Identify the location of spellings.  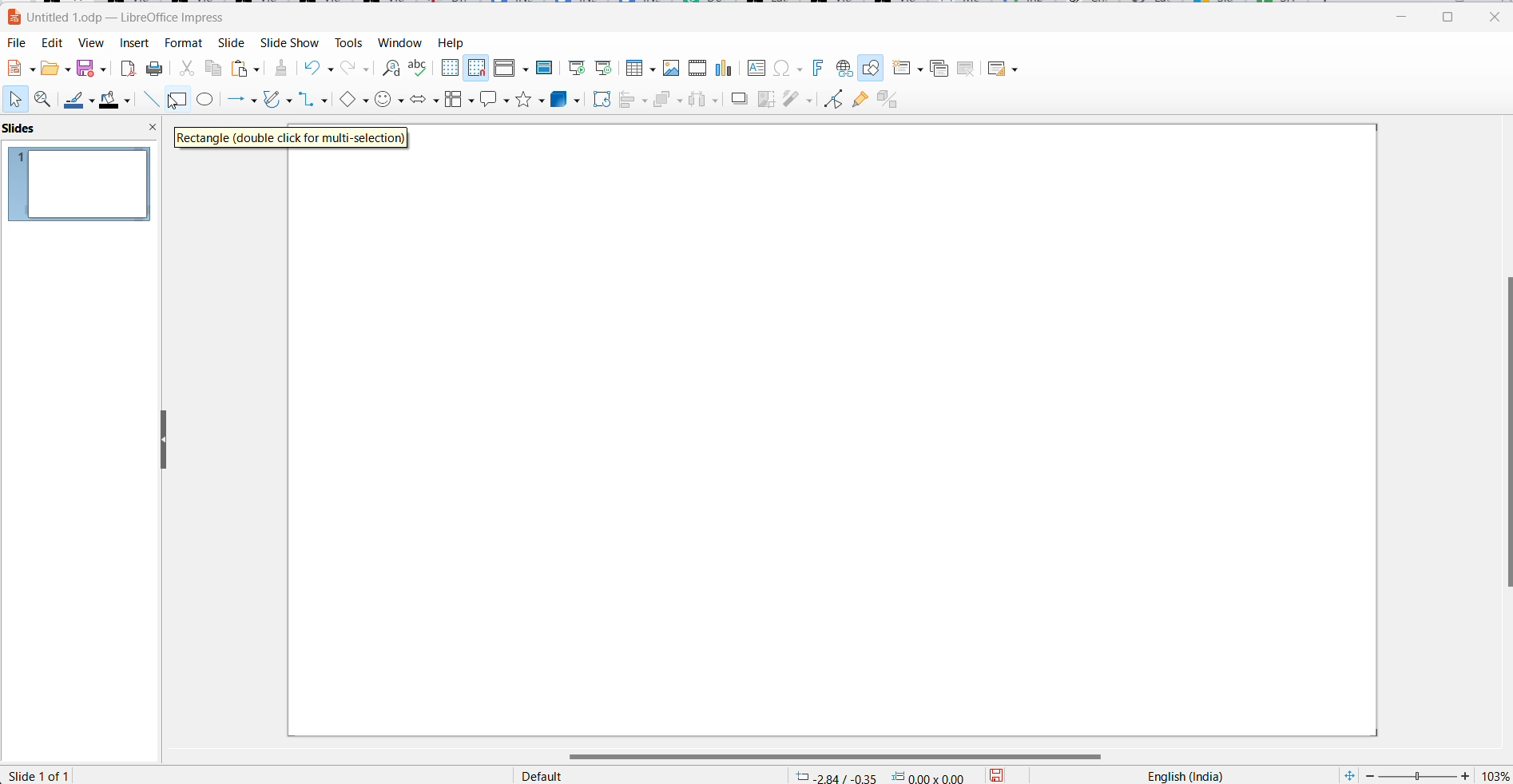
(419, 68).